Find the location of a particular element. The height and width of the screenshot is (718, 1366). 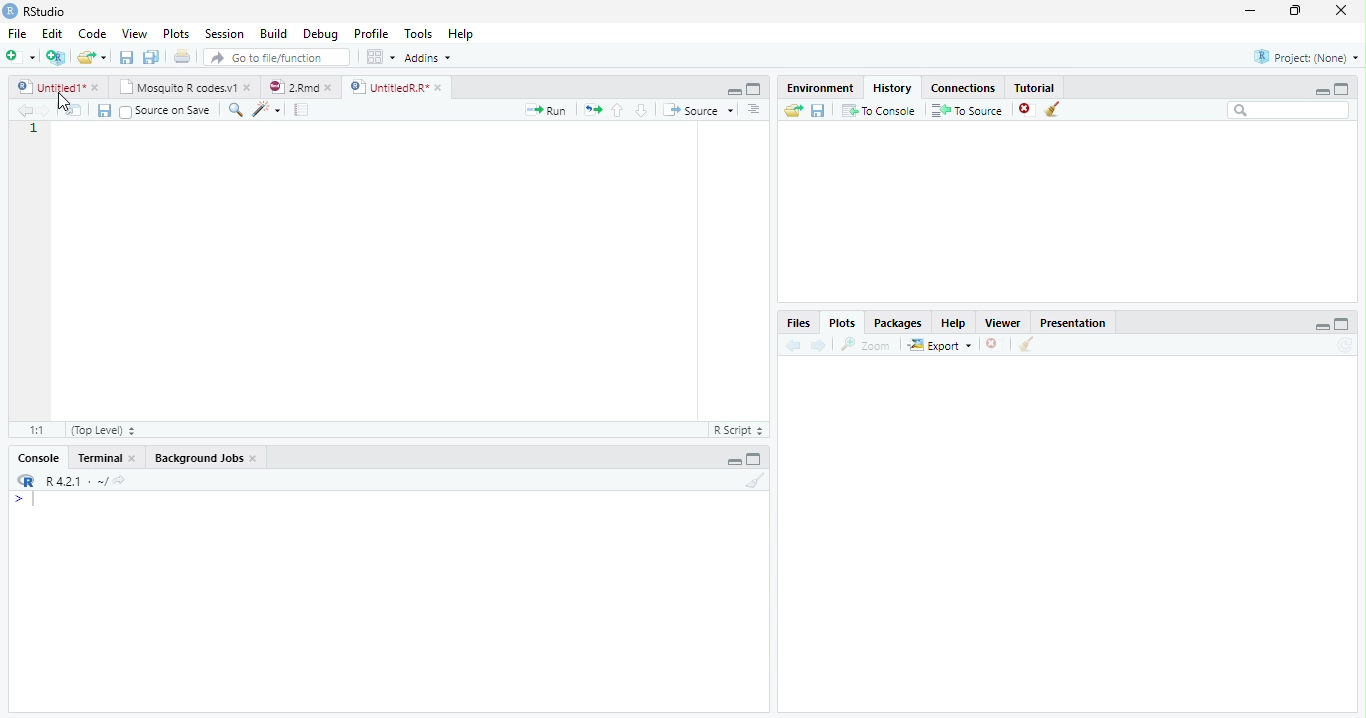

R Script is located at coordinates (739, 430).